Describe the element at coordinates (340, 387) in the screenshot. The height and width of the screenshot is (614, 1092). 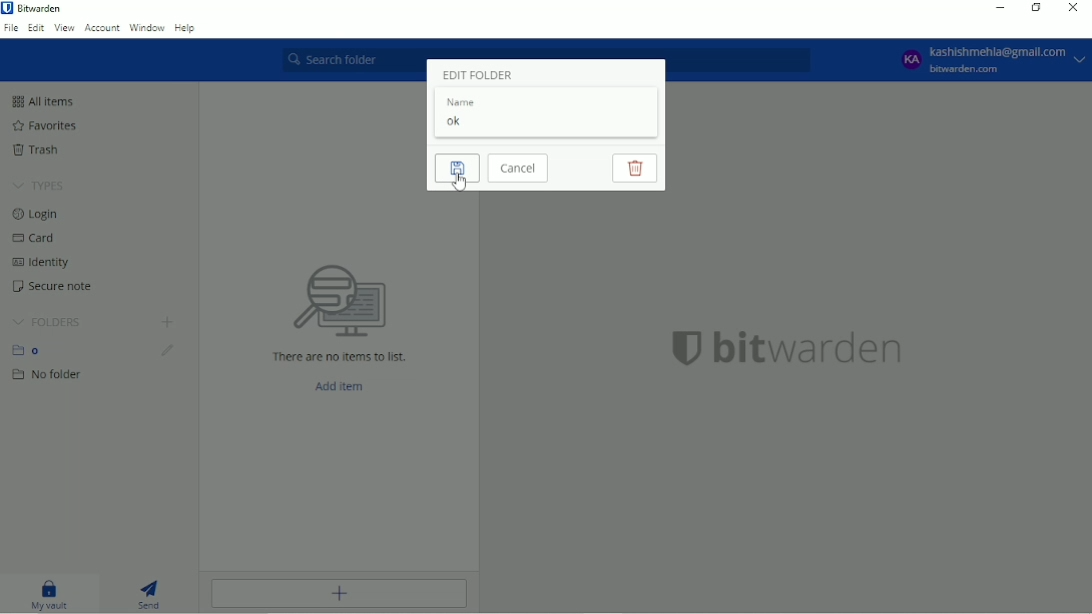
I see `Add item` at that location.